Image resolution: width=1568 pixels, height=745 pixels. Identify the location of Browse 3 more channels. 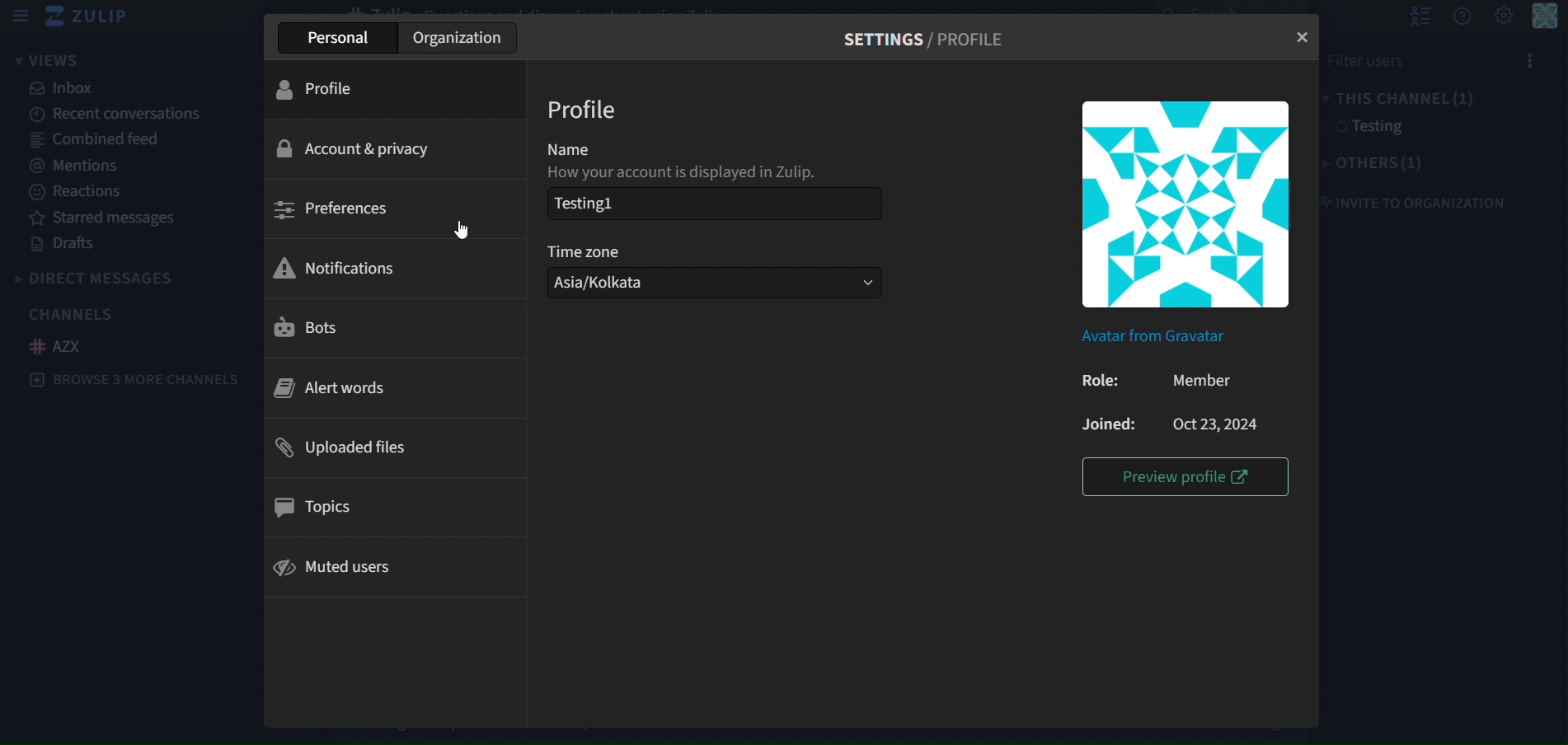
(134, 379).